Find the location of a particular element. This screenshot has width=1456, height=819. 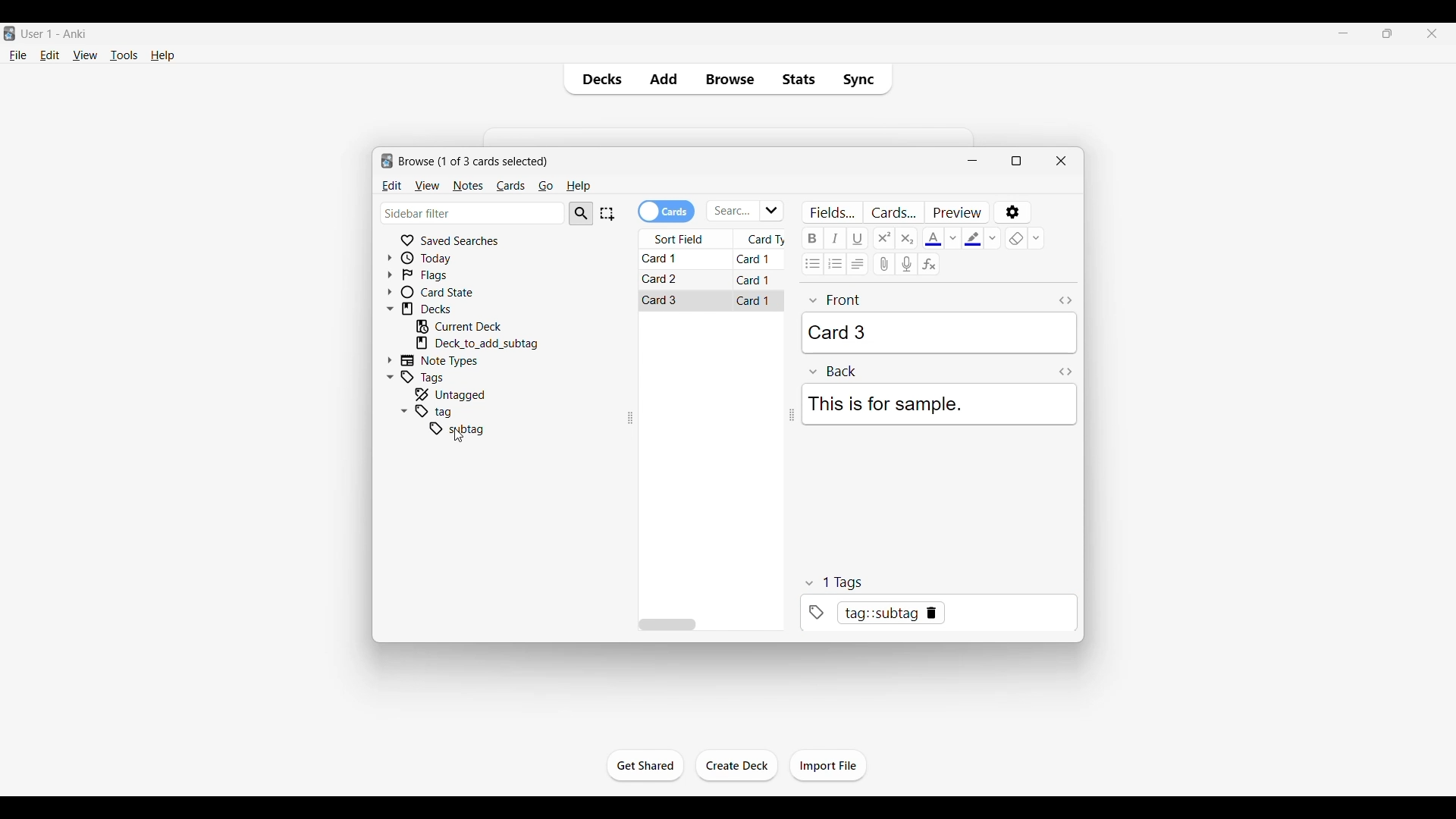

Select is located at coordinates (607, 214).